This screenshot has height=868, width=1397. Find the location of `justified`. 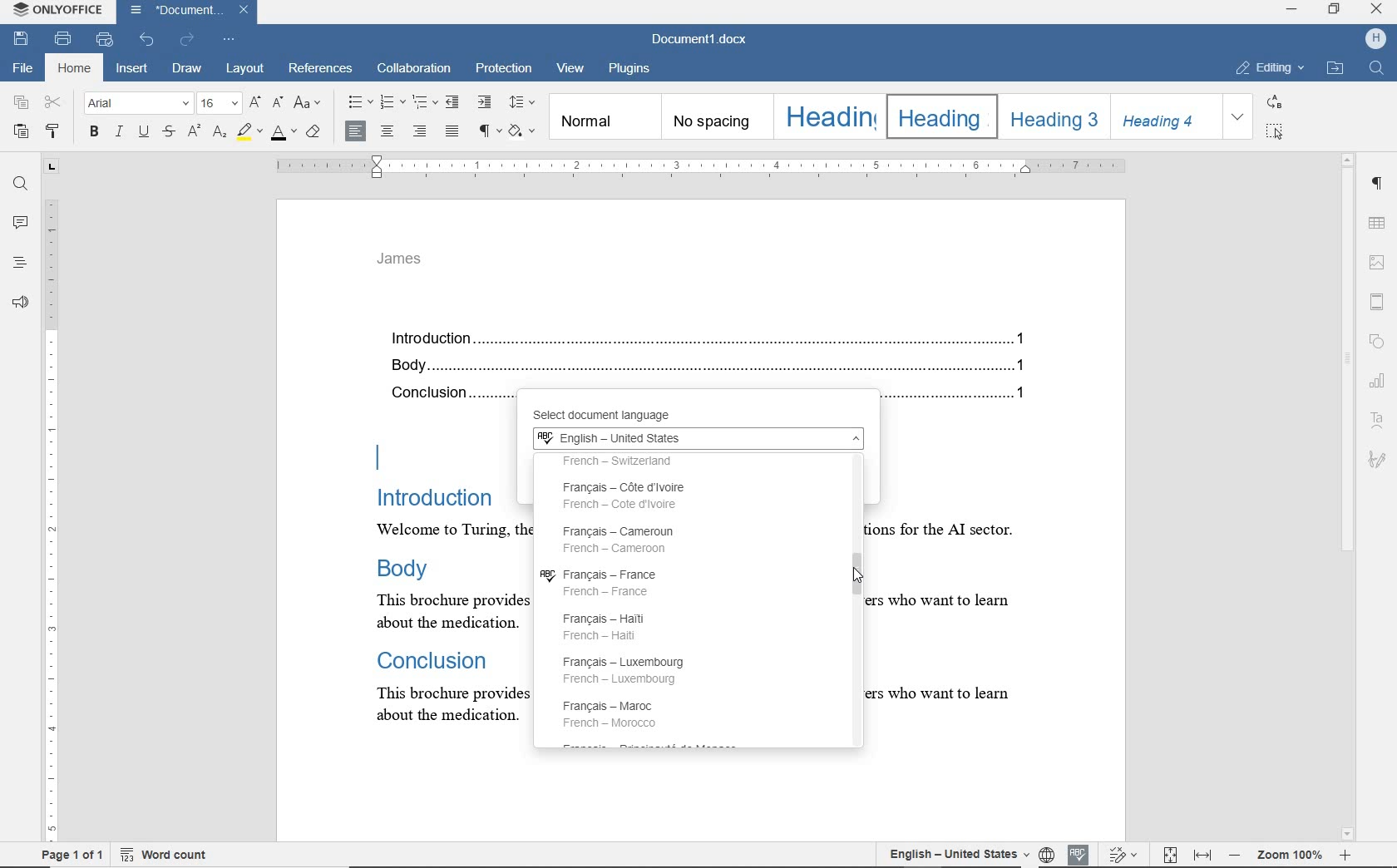

justified is located at coordinates (453, 132).